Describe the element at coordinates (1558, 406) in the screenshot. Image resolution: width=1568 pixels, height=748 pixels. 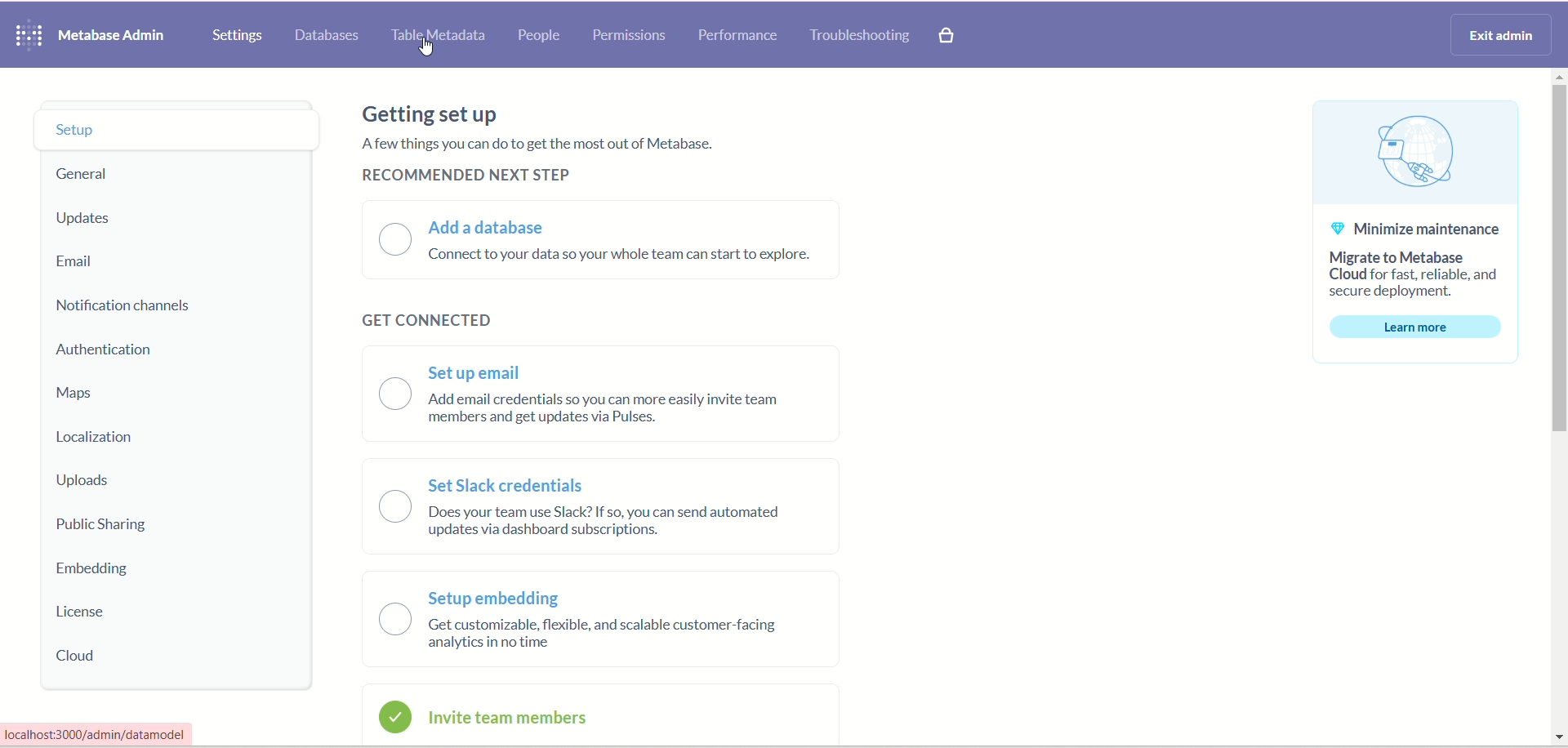
I see `vertical scroll bar` at that location.